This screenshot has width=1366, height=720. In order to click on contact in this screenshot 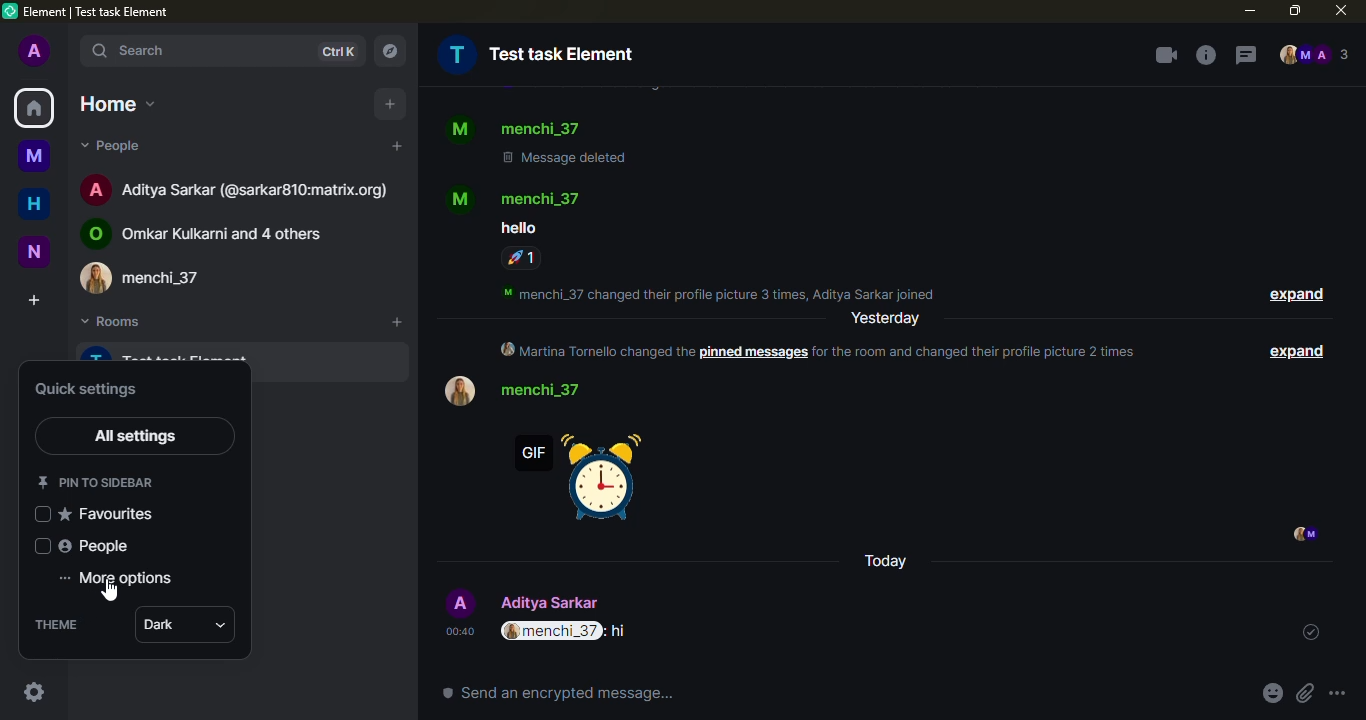, I will do `click(156, 277)`.